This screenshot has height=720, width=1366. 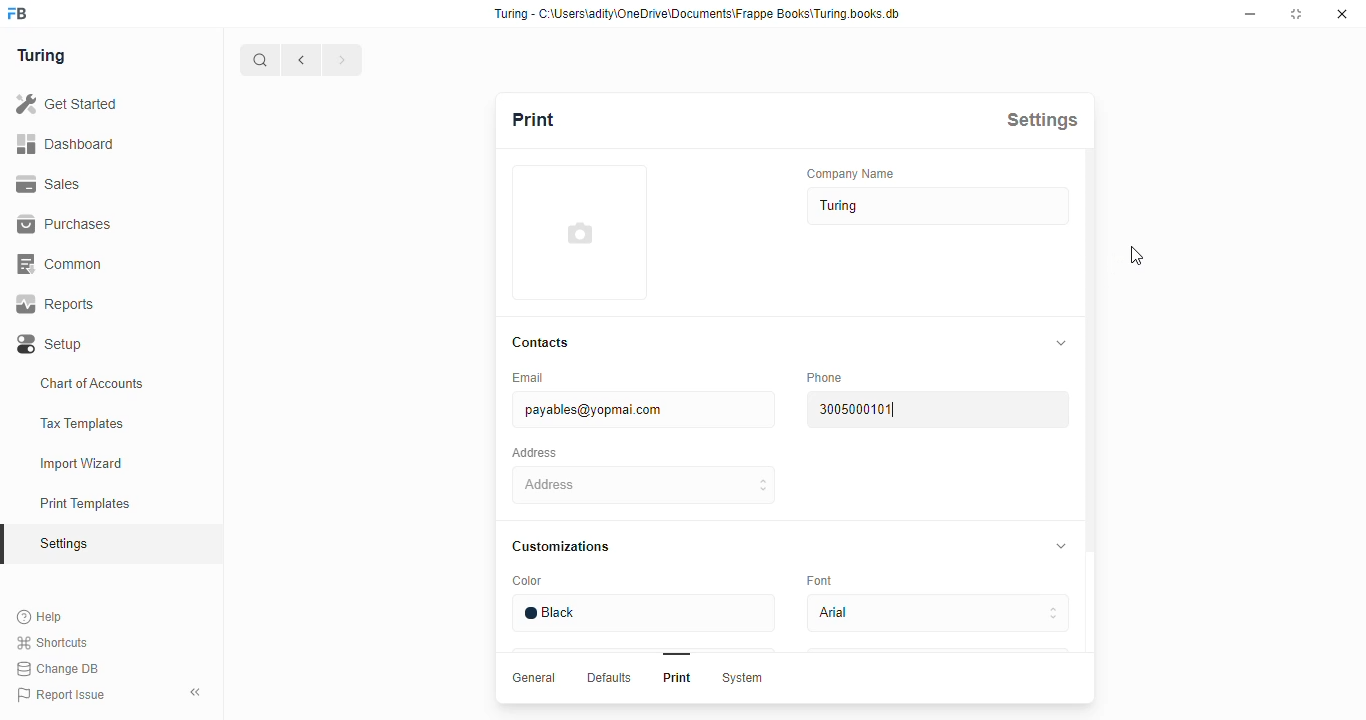 I want to click on Color., so click(x=529, y=582).